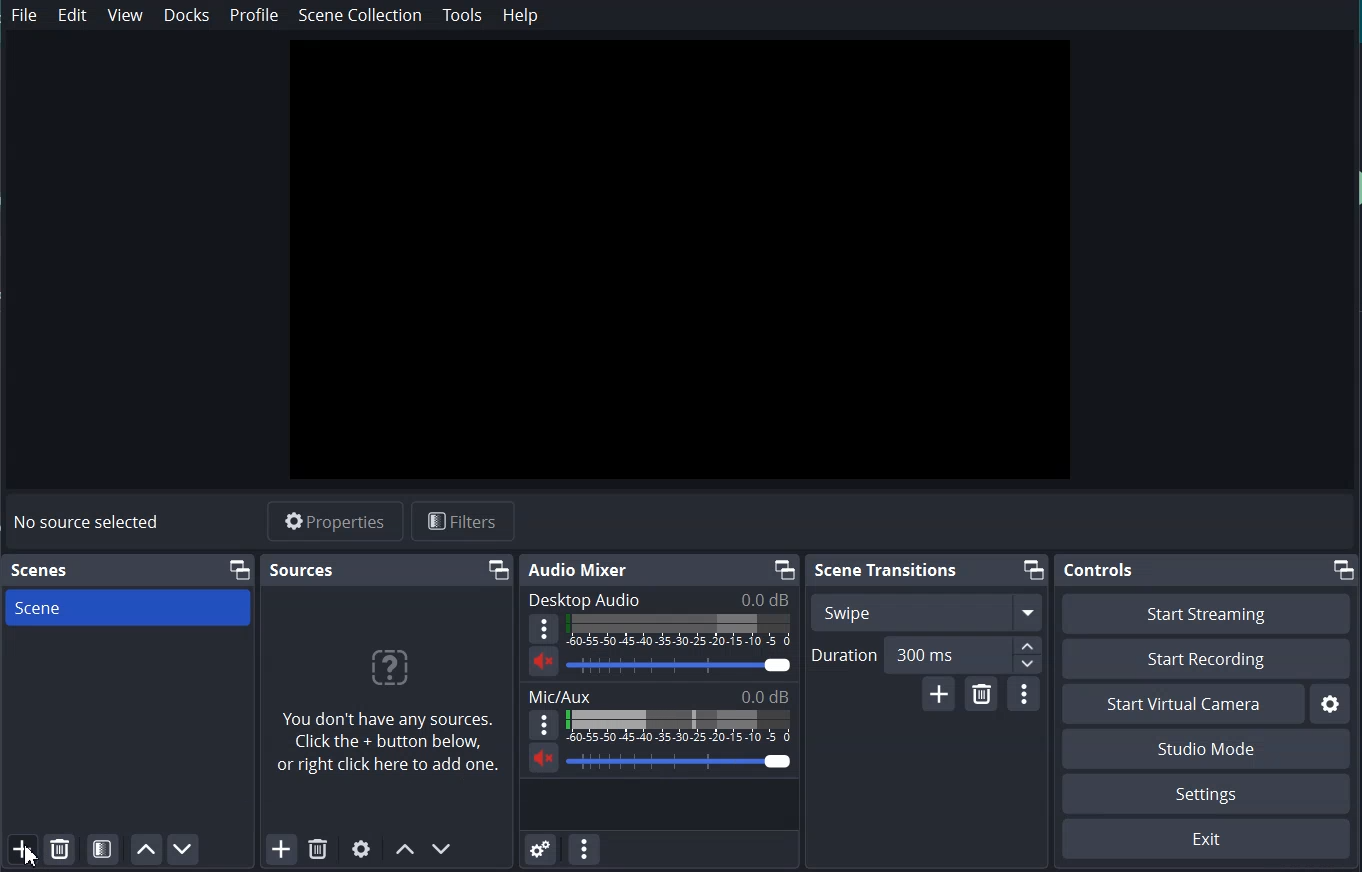 The width and height of the screenshot is (1362, 872). I want to click on Help, so click(521, 15).